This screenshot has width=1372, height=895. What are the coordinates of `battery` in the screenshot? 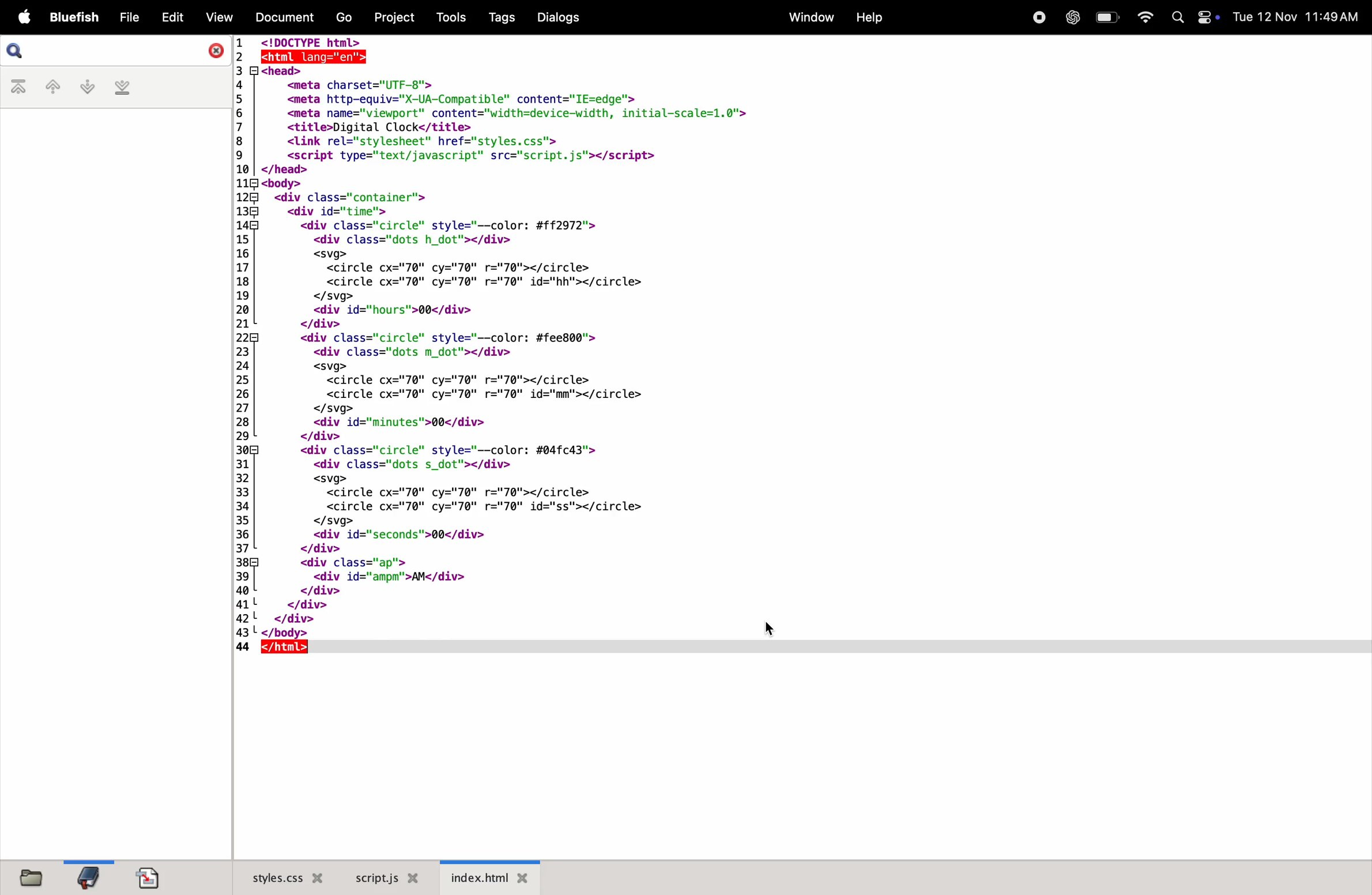 It's located at (1106, 17).